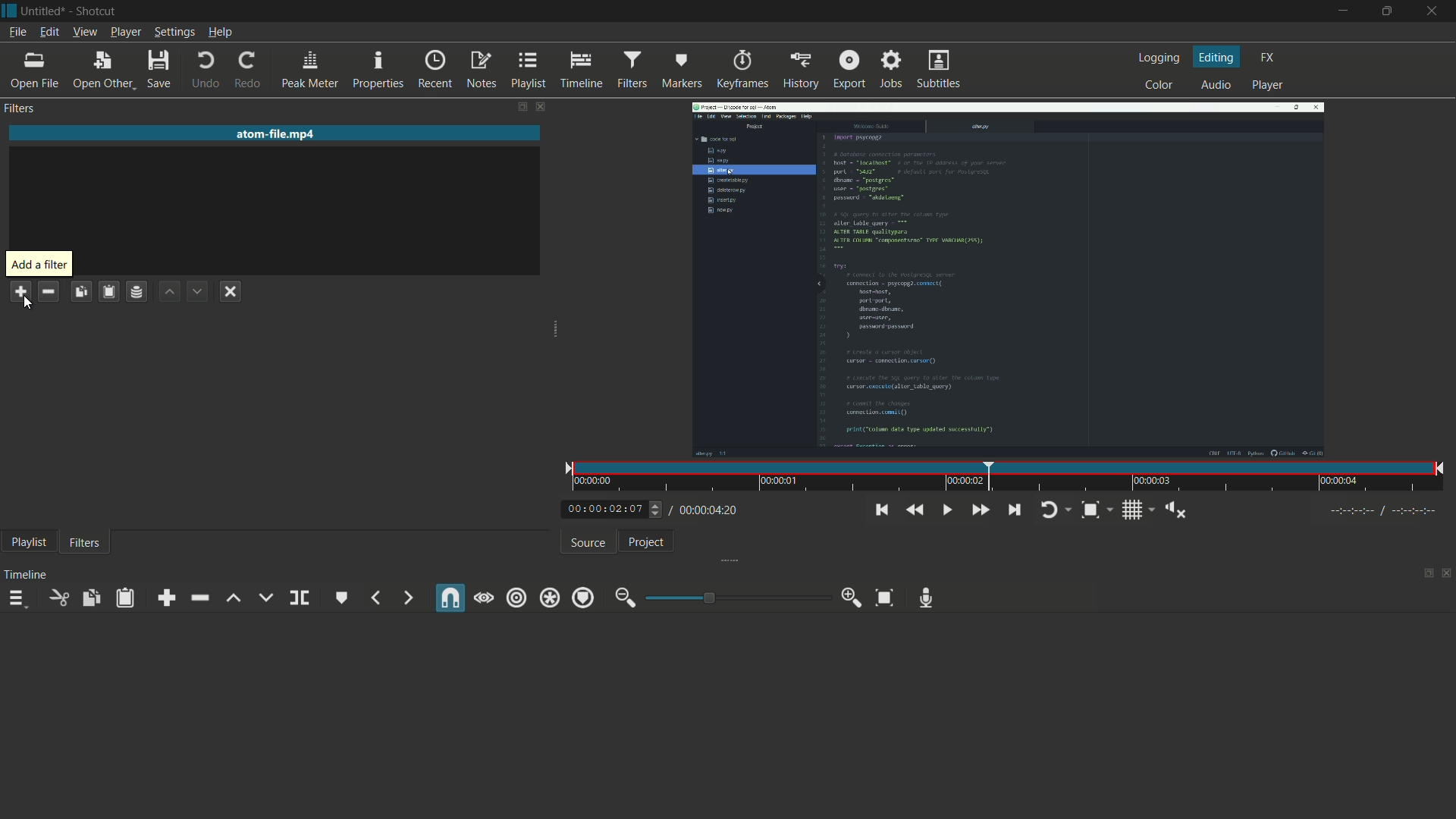 The image size is (1456, 819). What do you see at coordinates (20, 108) in the screenshot?
I see `filters` at bounding box center [20, 108].